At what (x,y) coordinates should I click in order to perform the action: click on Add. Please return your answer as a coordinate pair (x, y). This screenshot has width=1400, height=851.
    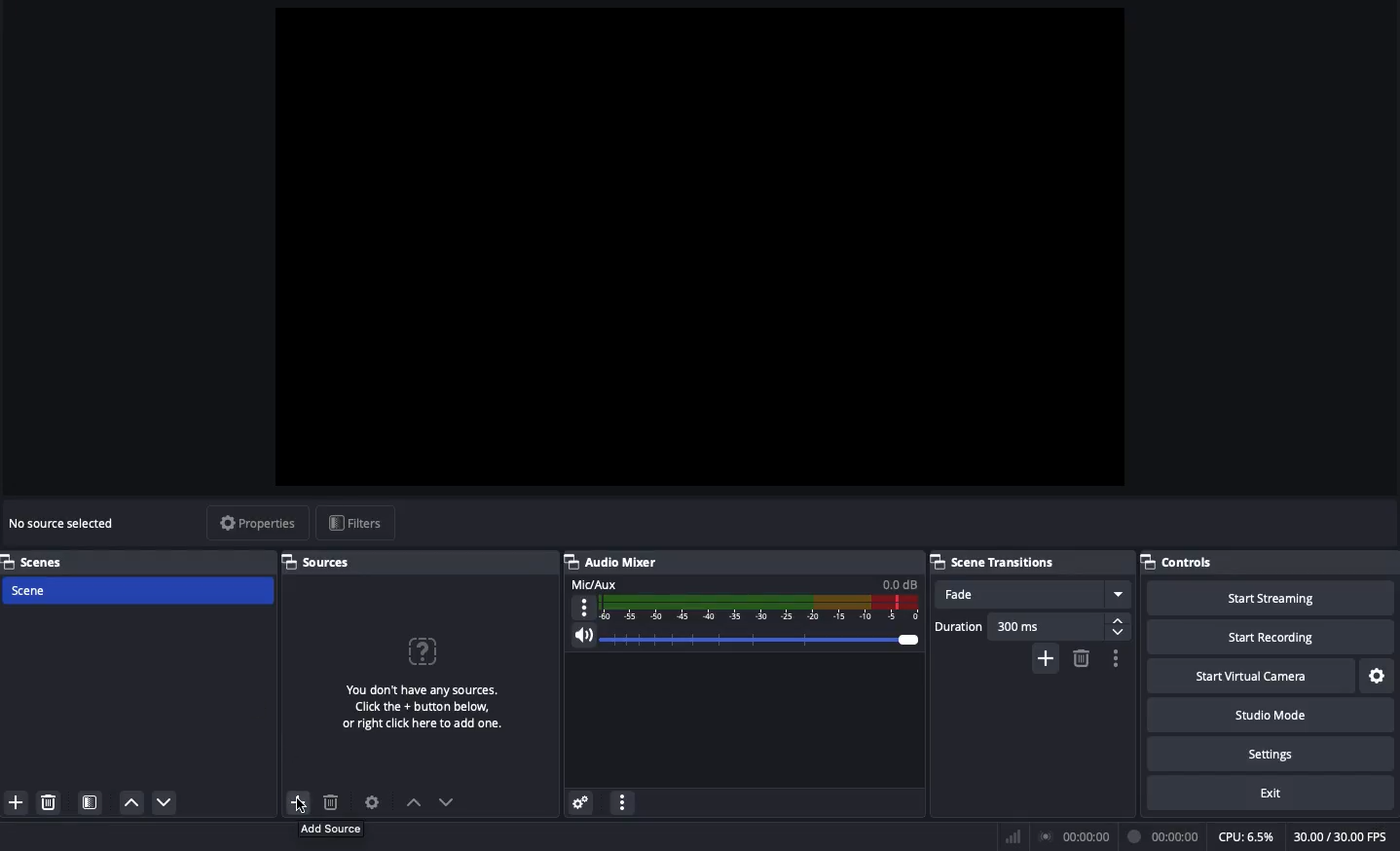
    Looking at the image, I should click on (1046, 658).